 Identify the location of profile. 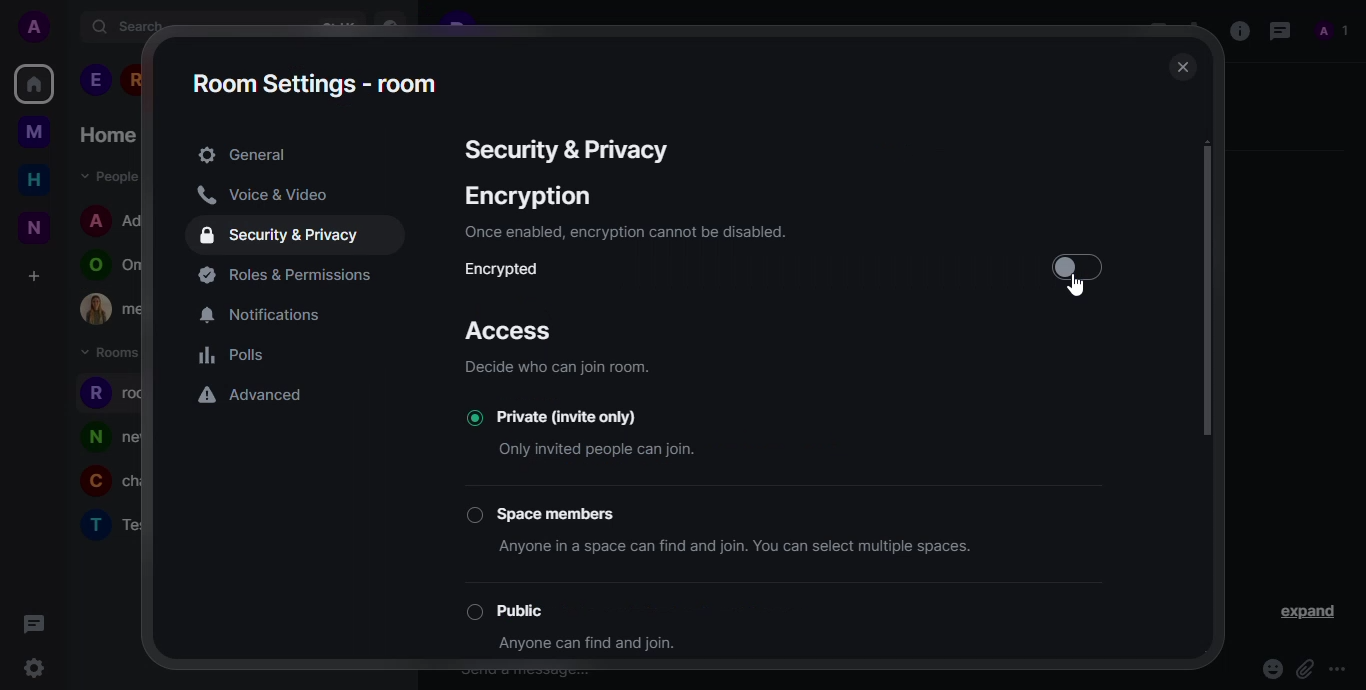
(92, 484).